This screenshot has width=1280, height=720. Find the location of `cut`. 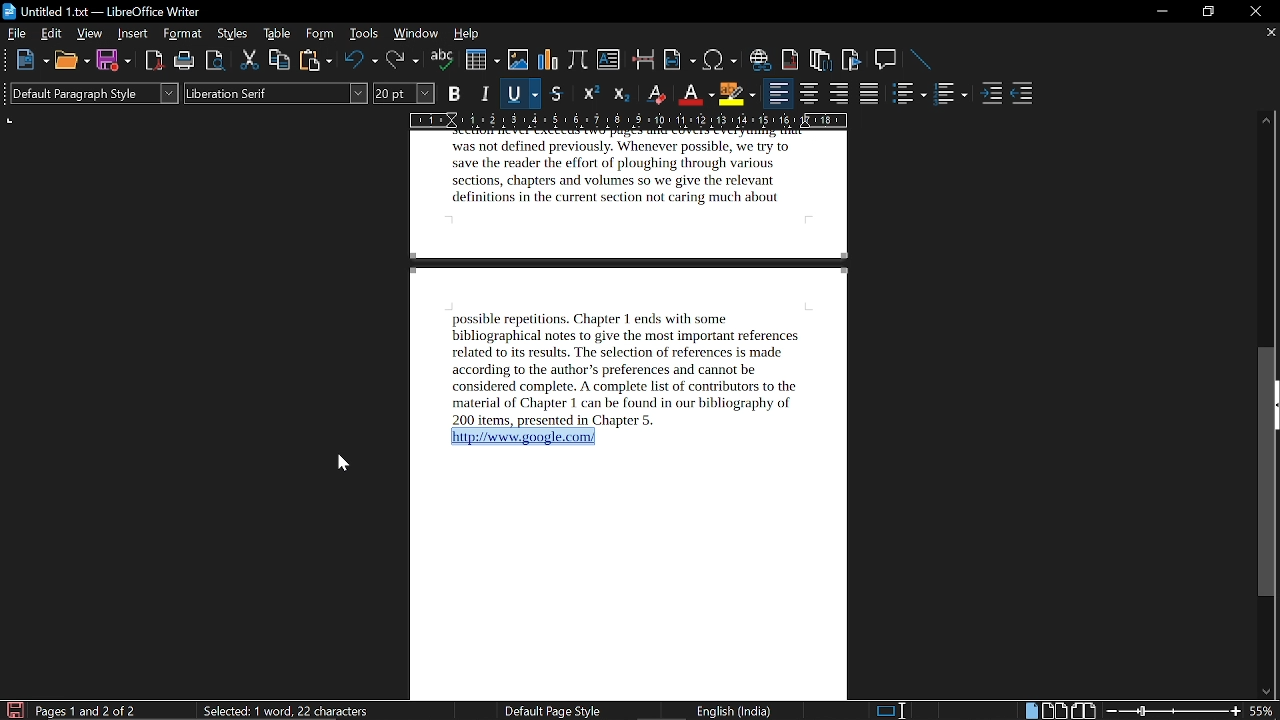

cut is located at coordinates (250, 60).